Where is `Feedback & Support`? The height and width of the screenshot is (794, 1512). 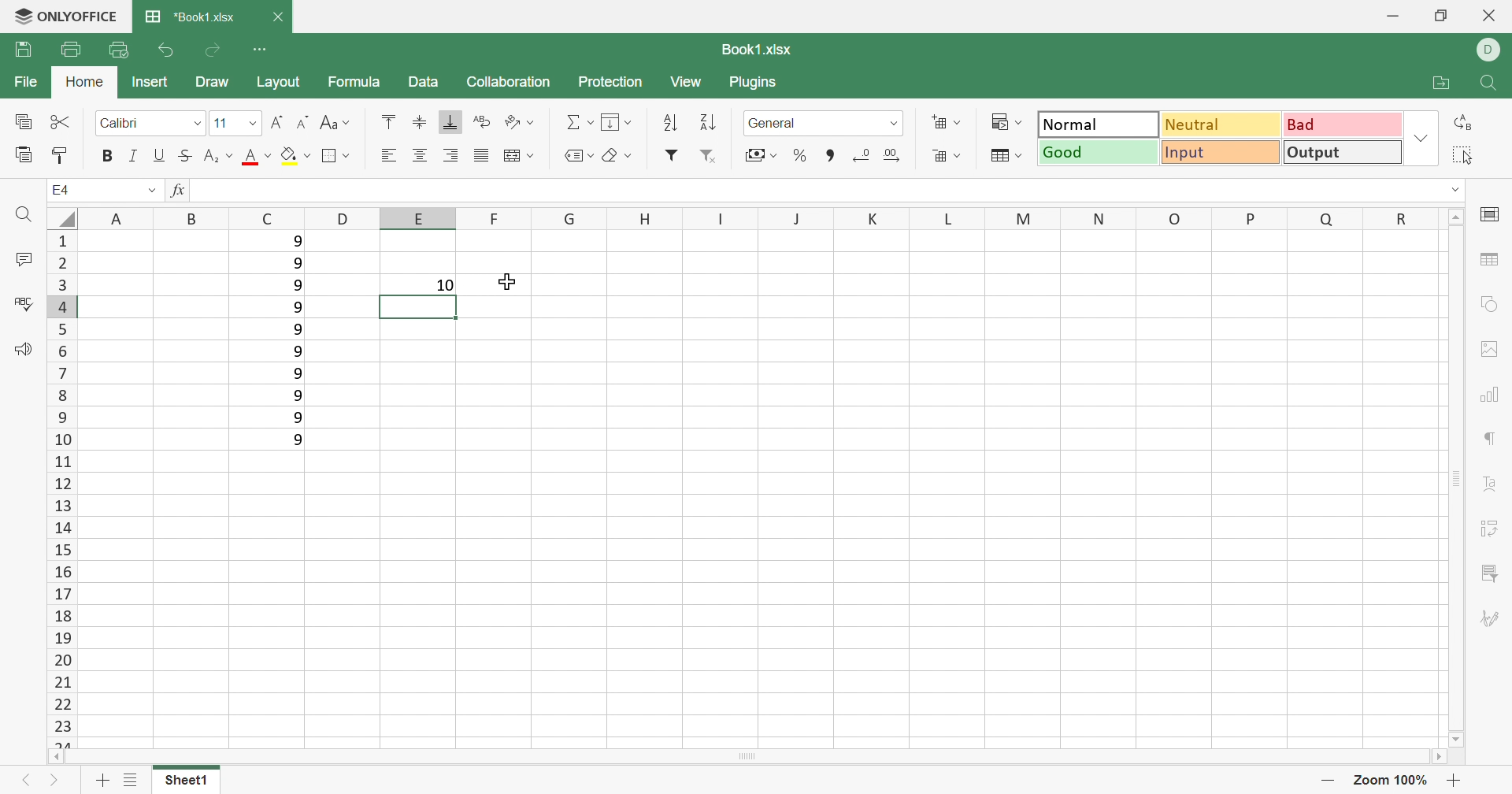
Feedback & Support is located at coordinates (23, 351).